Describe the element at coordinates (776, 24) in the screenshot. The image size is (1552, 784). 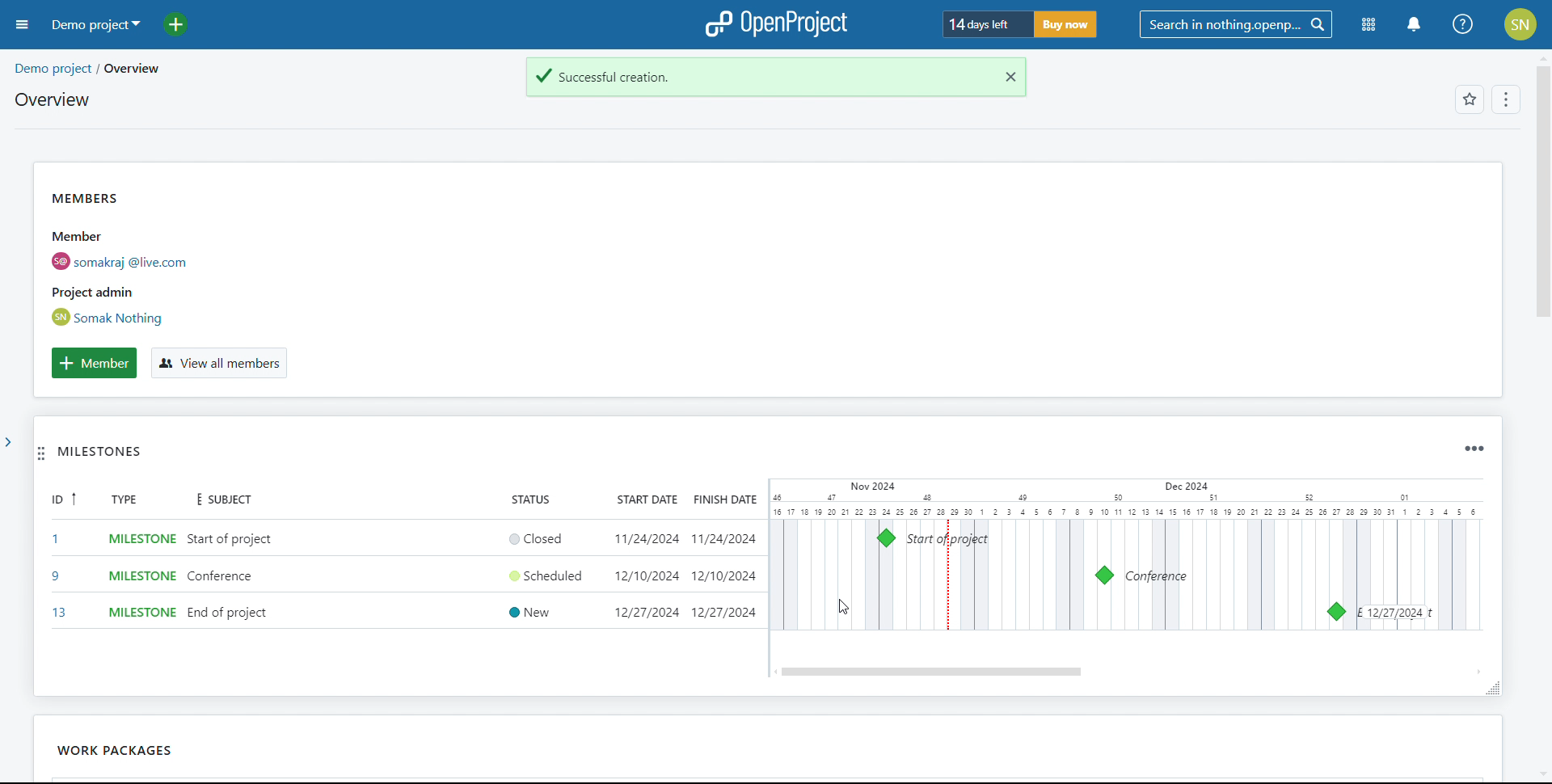
I see `logo` at that location.